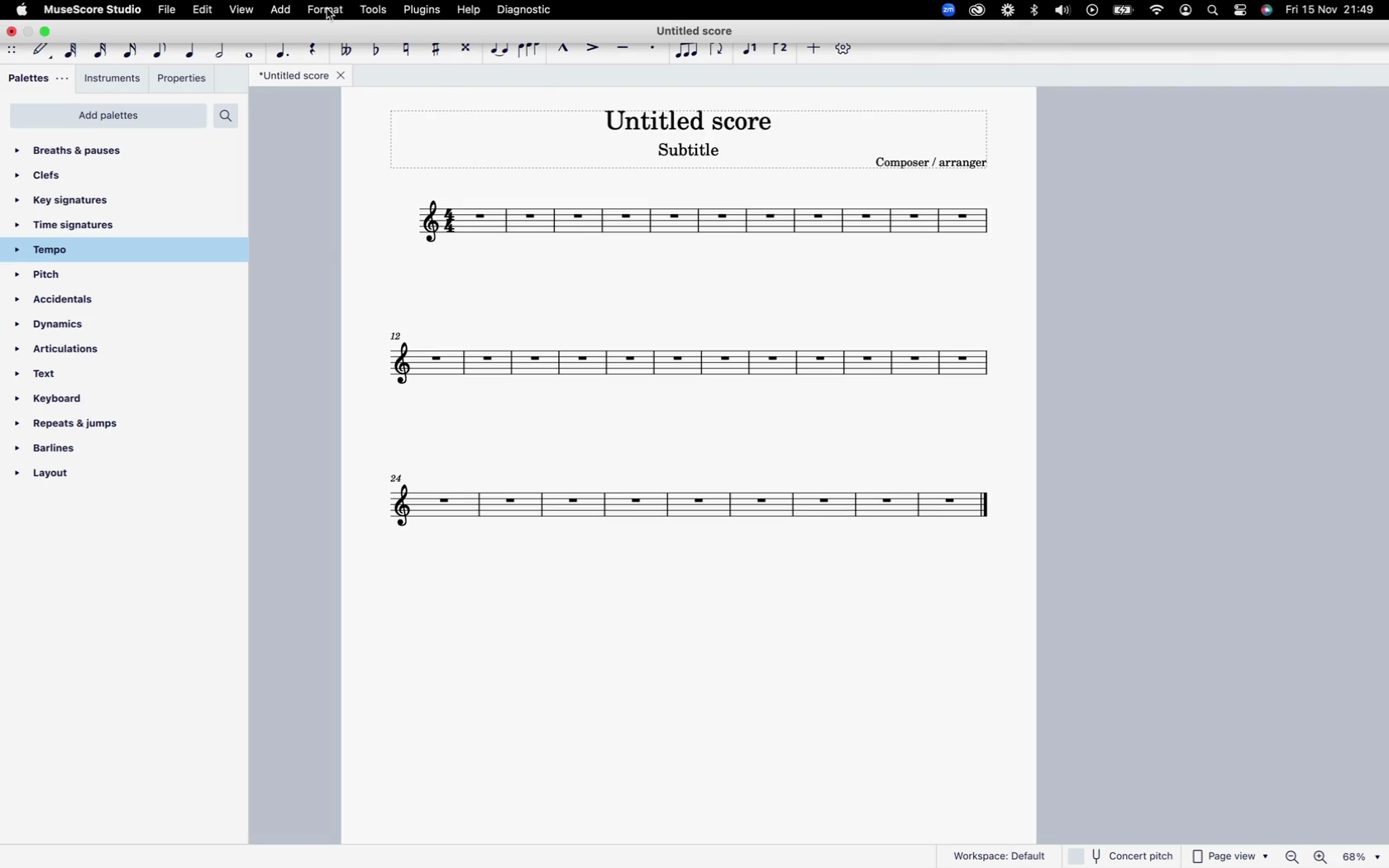 This screenshot has height=868, width=1389. What do you see at coordinates (1061, 12) in the screenshot?
I see `volume` at bounding box center [1061, 12].